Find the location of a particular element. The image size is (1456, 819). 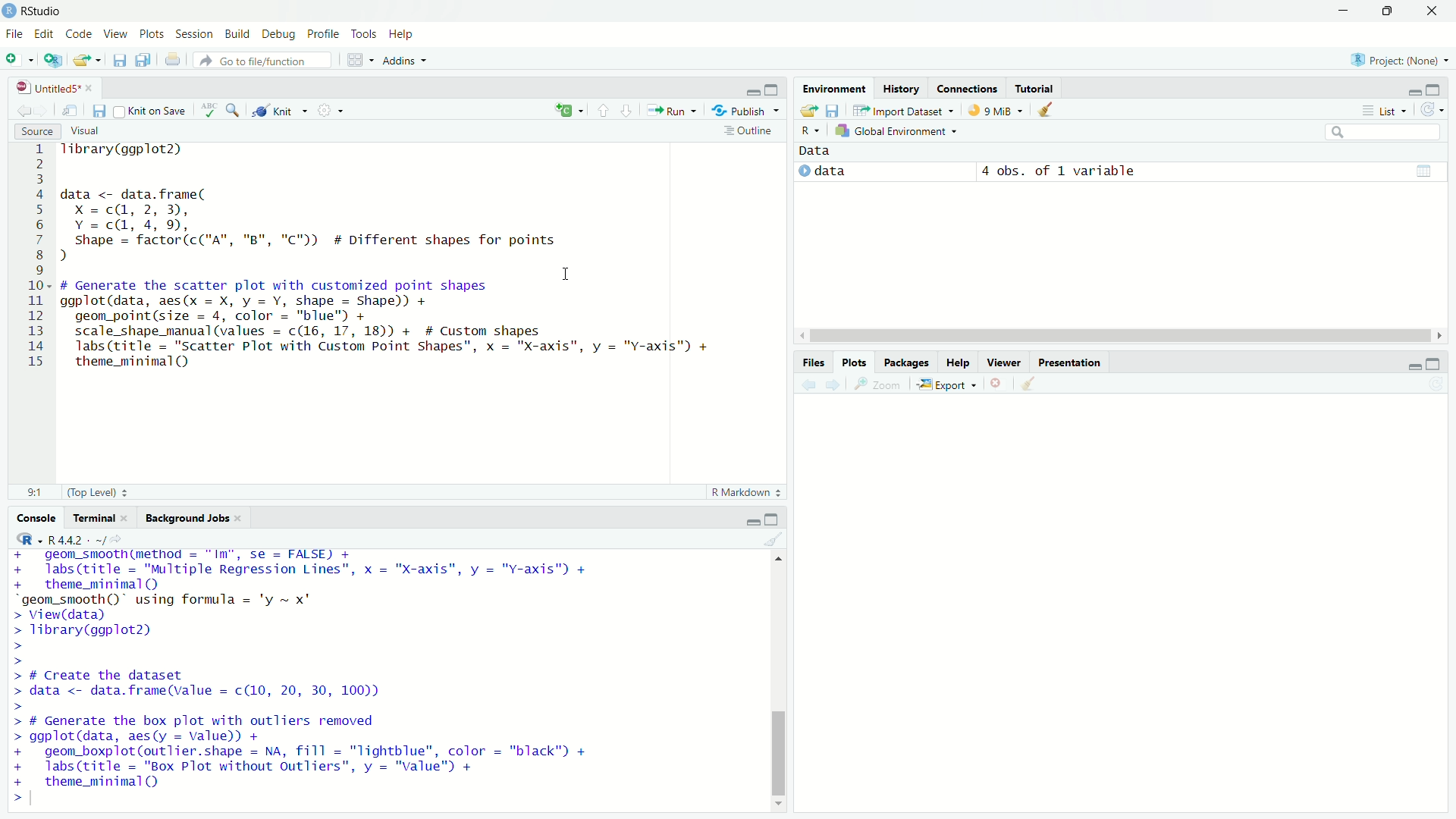

Help is located at coordinates (401, 33).